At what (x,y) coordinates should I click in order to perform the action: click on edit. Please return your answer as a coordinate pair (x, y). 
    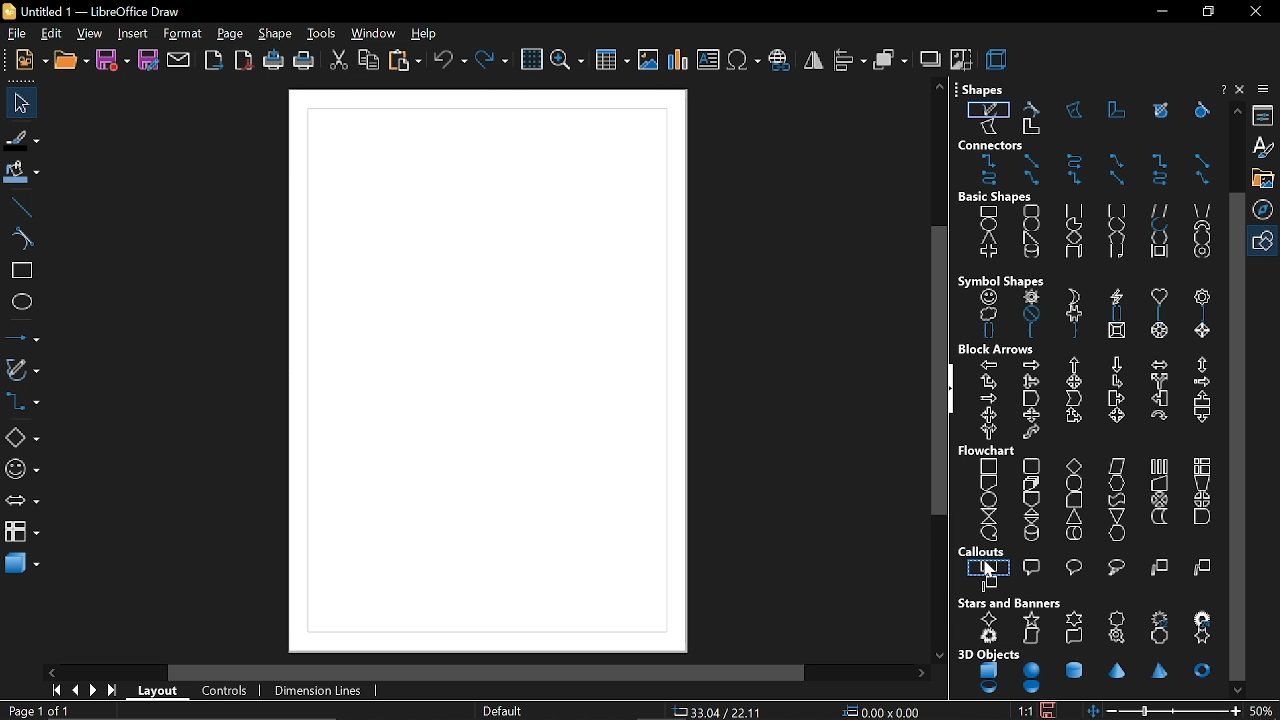
    Looking at the image, I should click on (50, 34).